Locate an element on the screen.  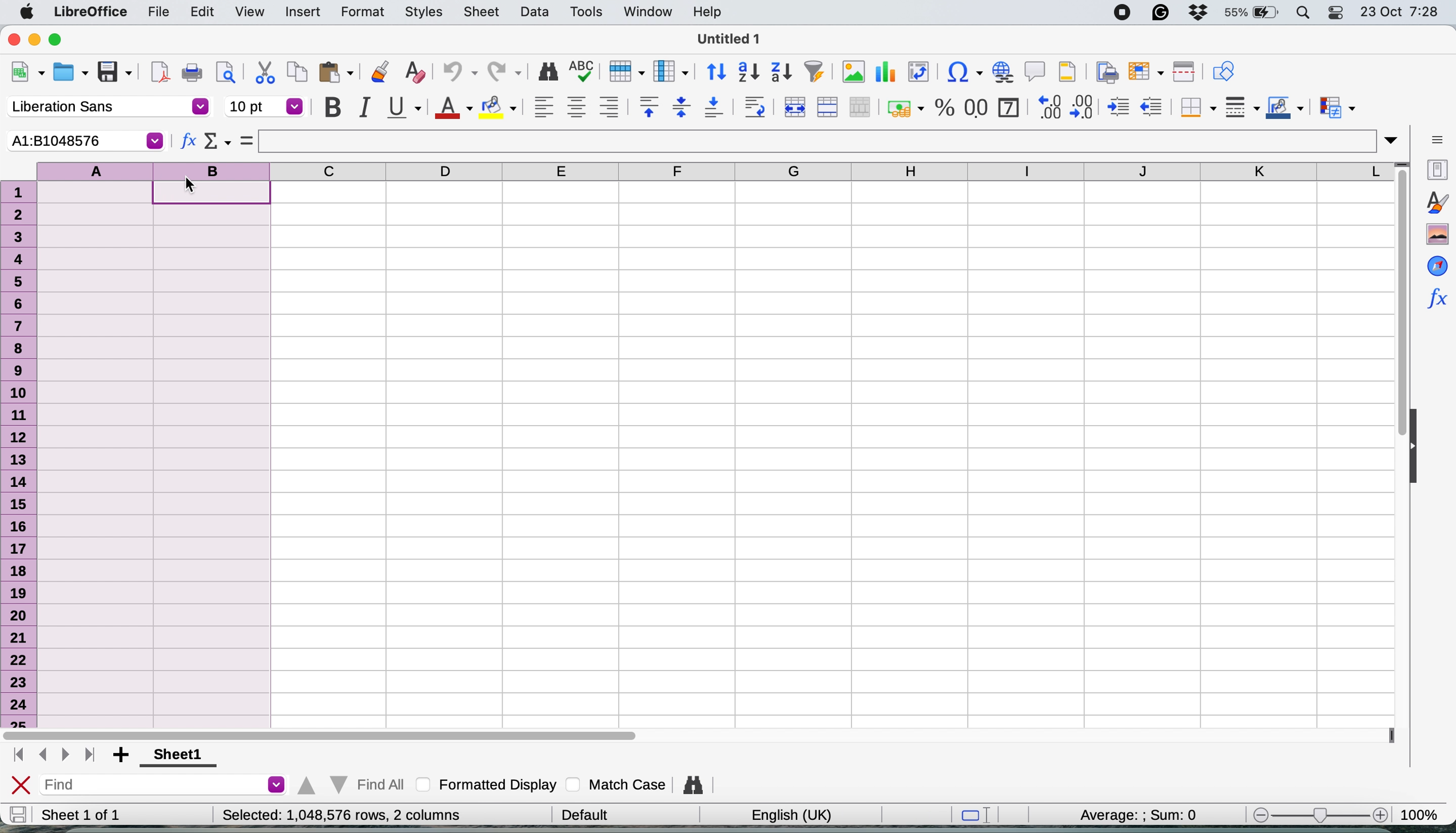
format is located at coordinates (362, 13).